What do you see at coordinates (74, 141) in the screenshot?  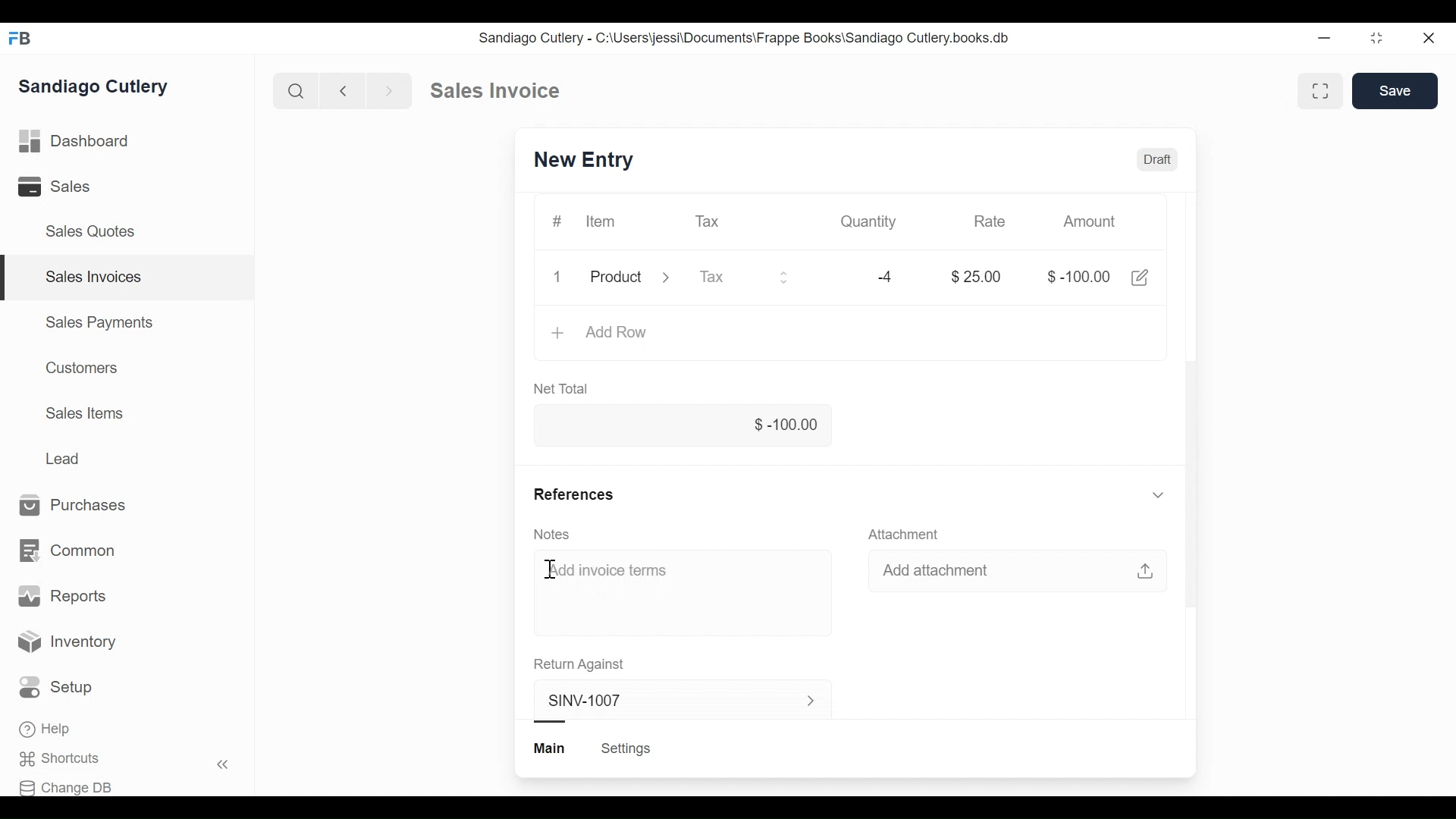 I see `Dashboard` at bounding box center [74, 141].